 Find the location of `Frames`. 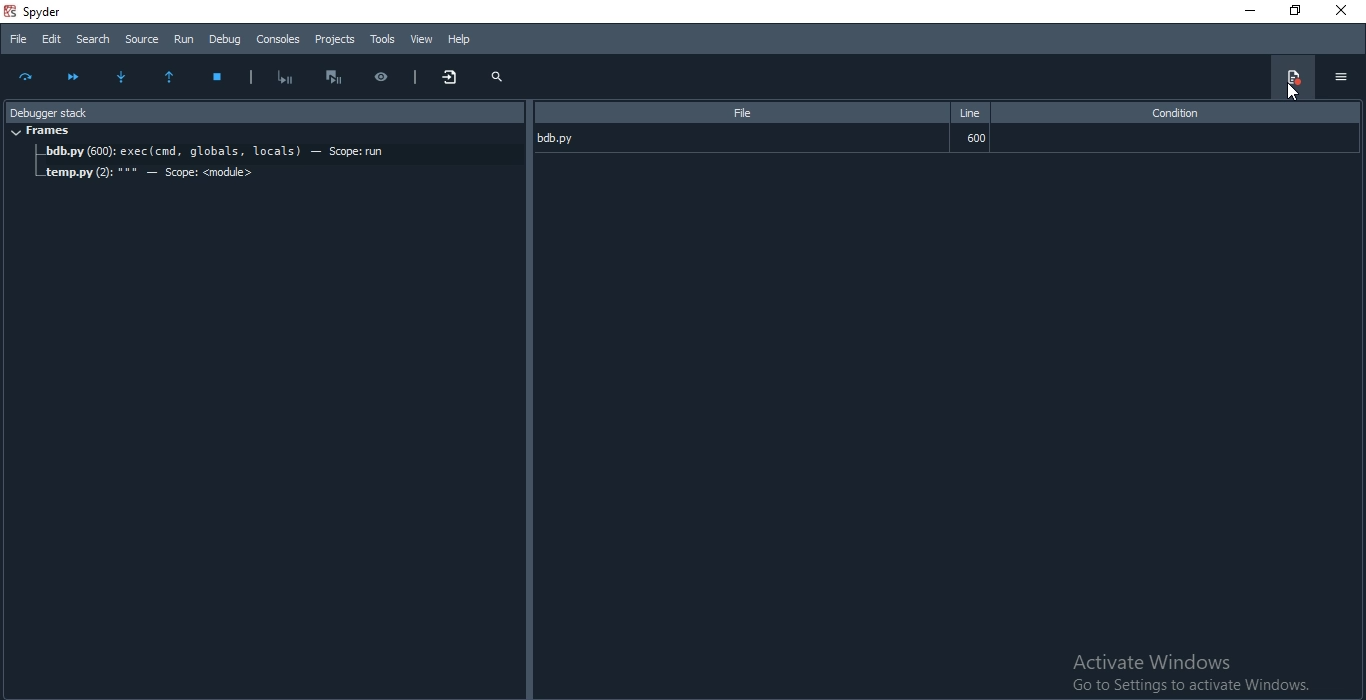

Frames is located at coordinates (43, 132).